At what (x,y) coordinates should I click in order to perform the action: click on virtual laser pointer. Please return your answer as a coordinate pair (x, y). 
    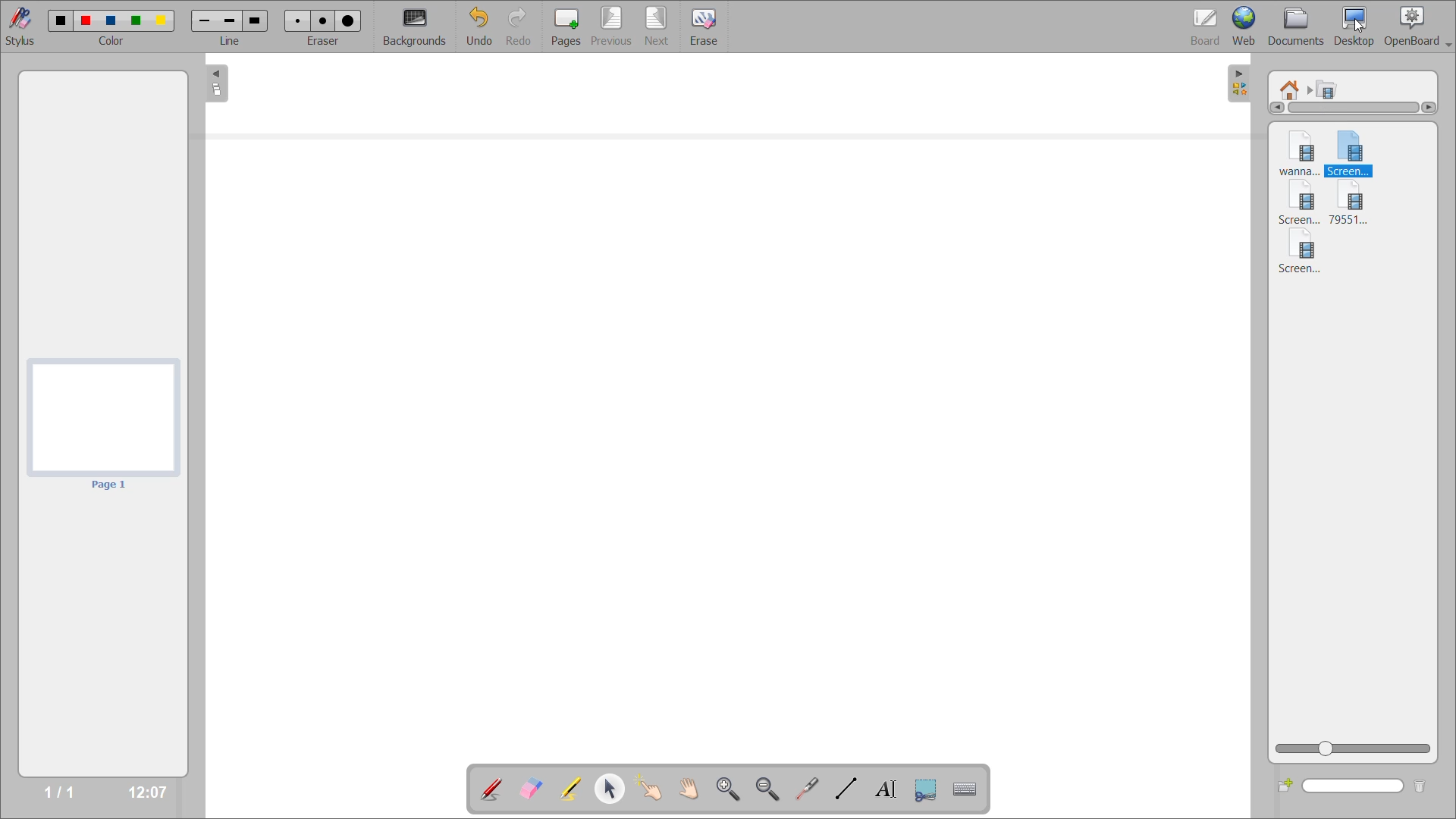
    Looking at the image, I should click on (808, 788).